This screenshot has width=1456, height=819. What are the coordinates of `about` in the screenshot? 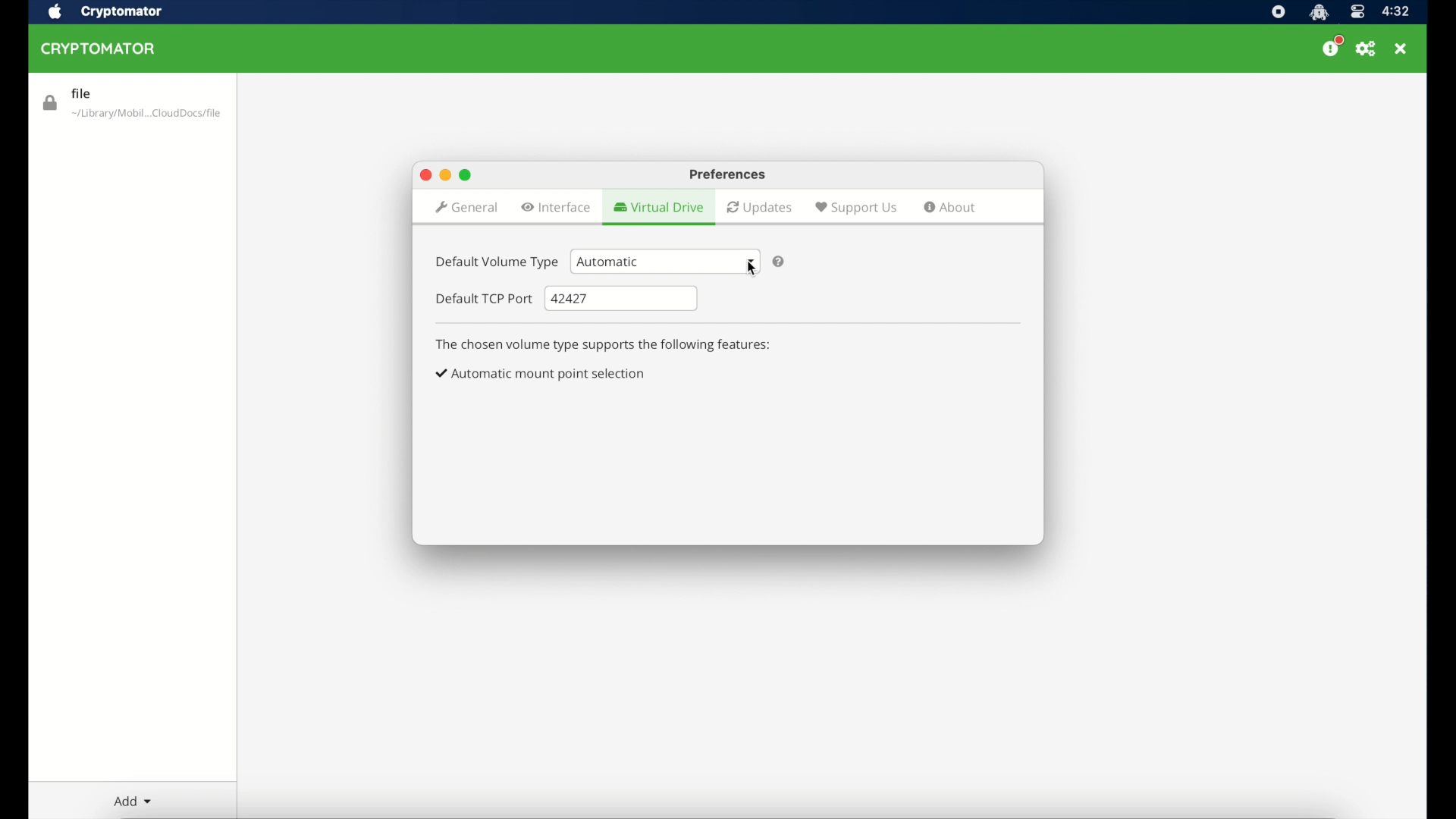 It's located at (950, 207).